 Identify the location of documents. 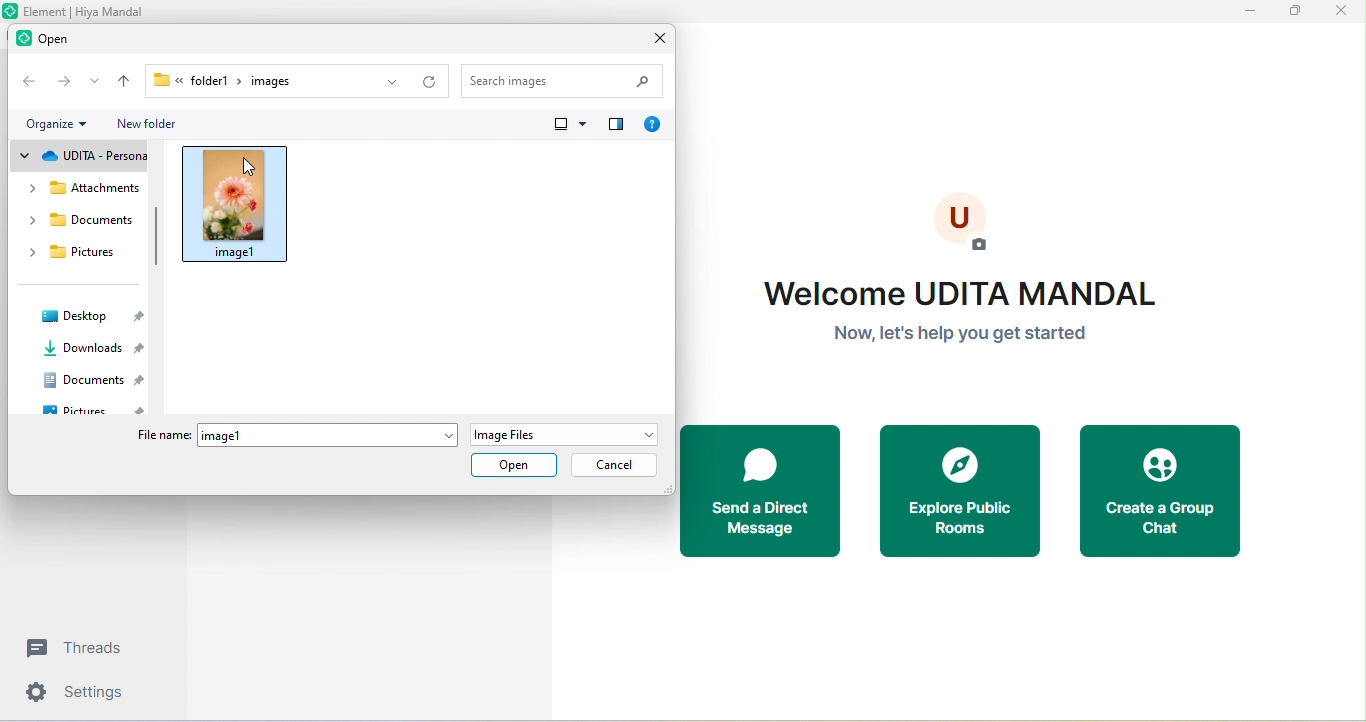
(90, 380).